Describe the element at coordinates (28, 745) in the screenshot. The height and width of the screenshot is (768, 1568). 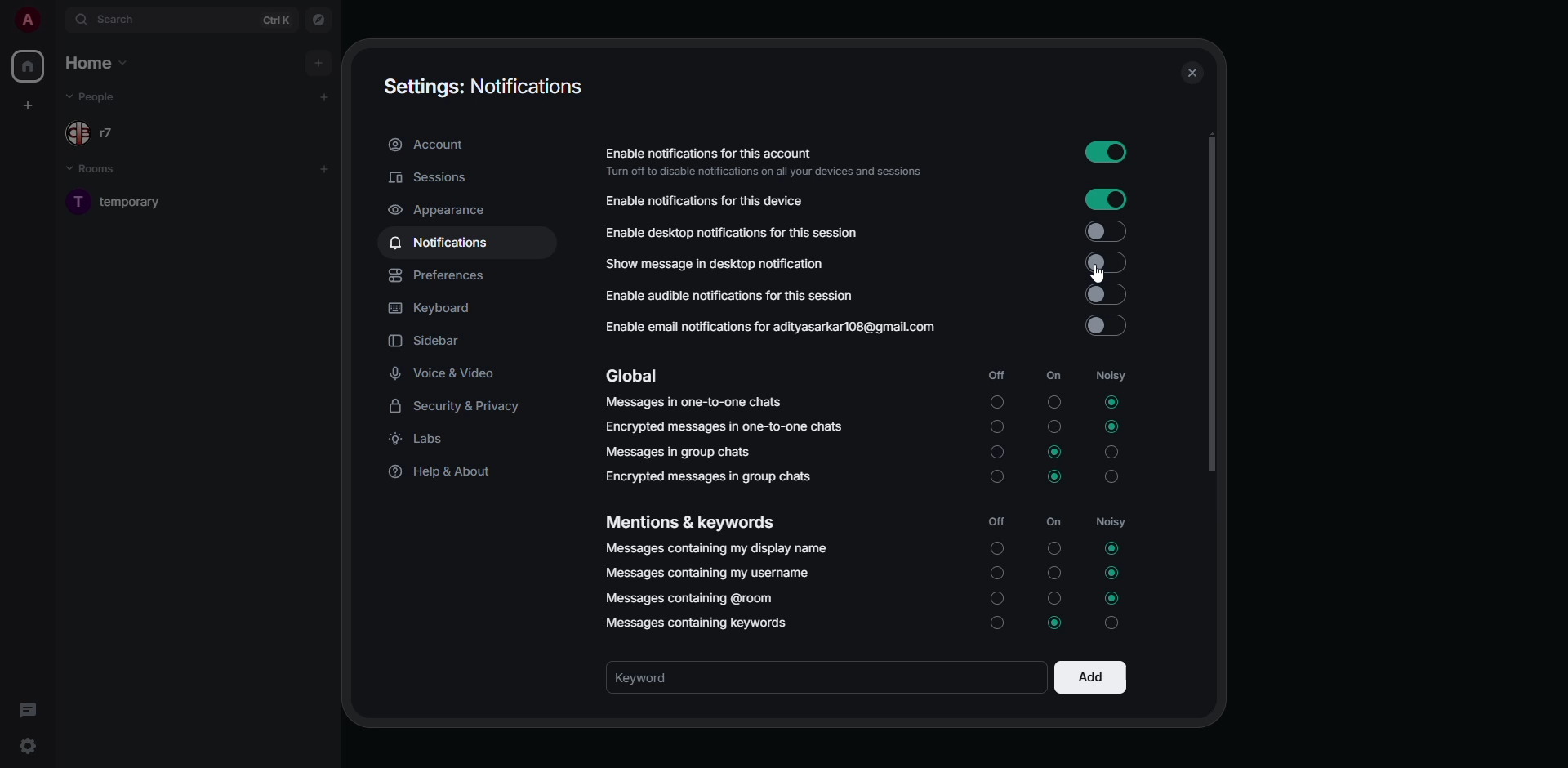
I see `quick settings` at that location.